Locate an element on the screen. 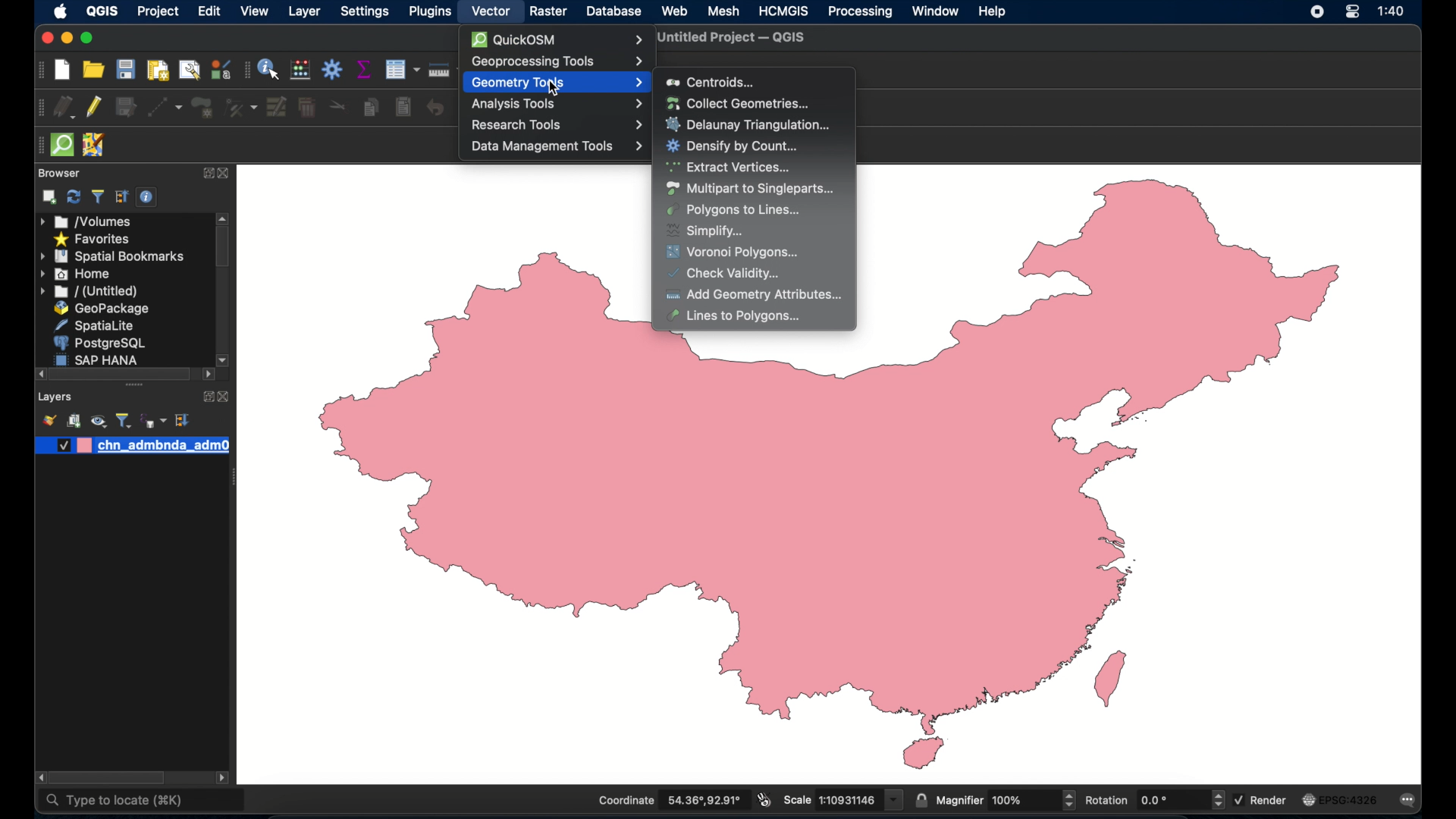  quick osm is located at coordinates (557, 39).